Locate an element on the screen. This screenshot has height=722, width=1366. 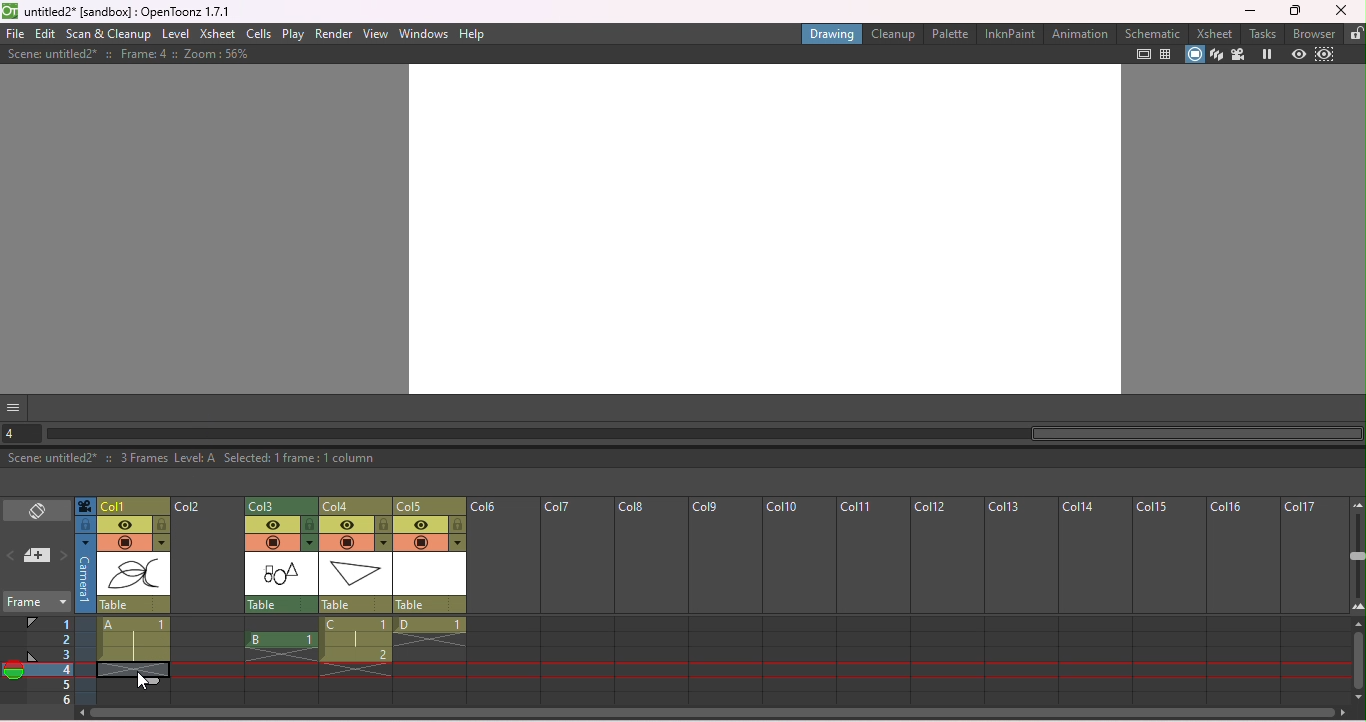
column 7 is located at coordinates (576, 601).